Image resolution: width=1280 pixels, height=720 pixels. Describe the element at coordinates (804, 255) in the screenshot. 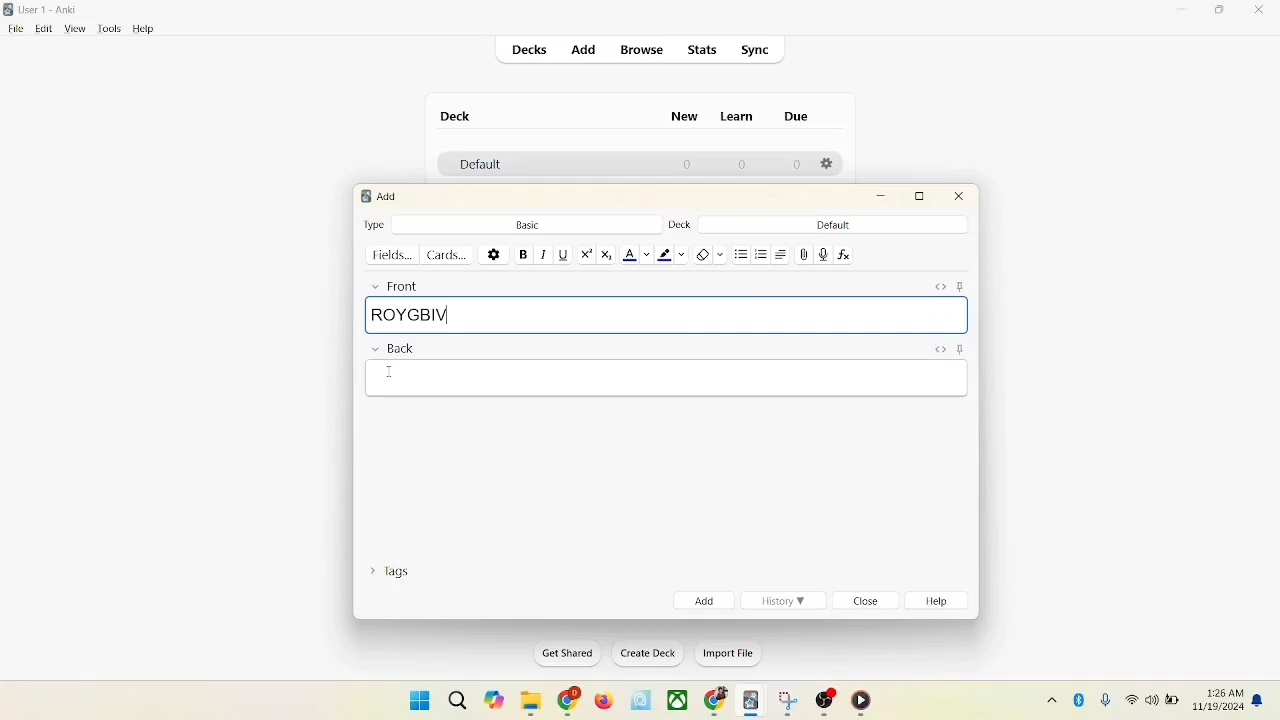

I see `attachment` at that location.